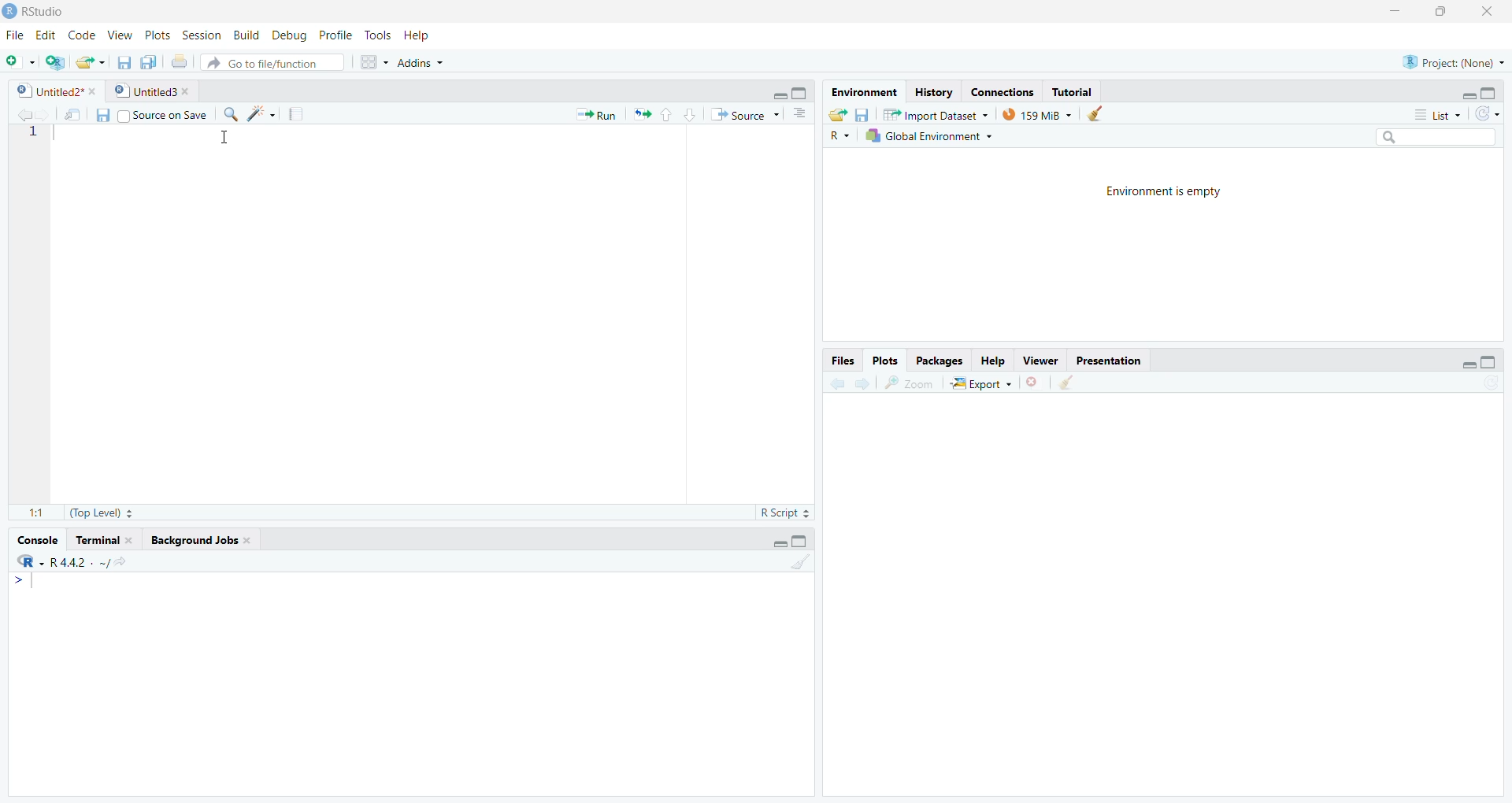 This screenshot has height=803, width=1512. What do you see at coordinates (1169, 192) in the screenshot?
I see `Environment is empty` at bounding box center [1169, 192].